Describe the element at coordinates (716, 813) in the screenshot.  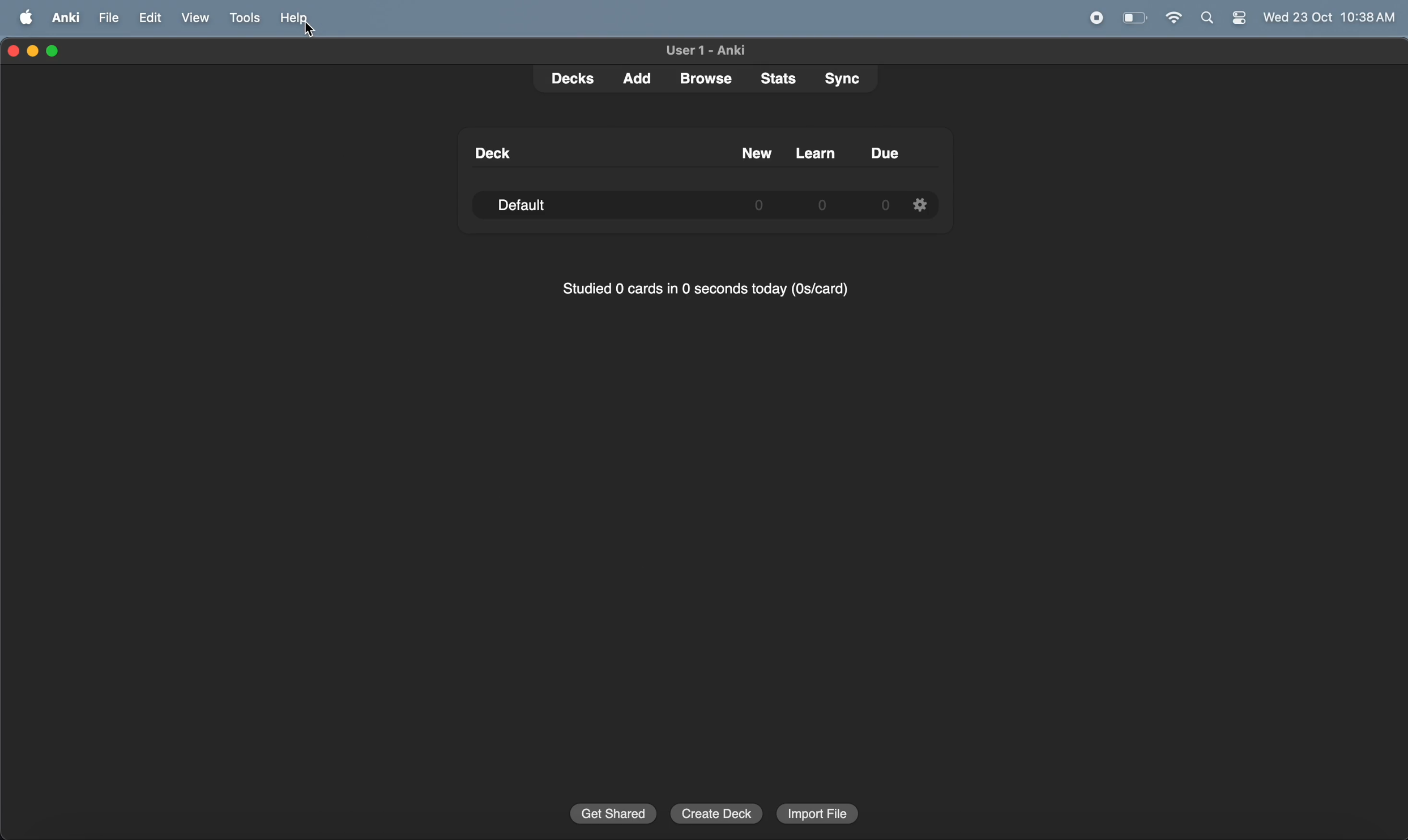
I see `create deck` at that location.